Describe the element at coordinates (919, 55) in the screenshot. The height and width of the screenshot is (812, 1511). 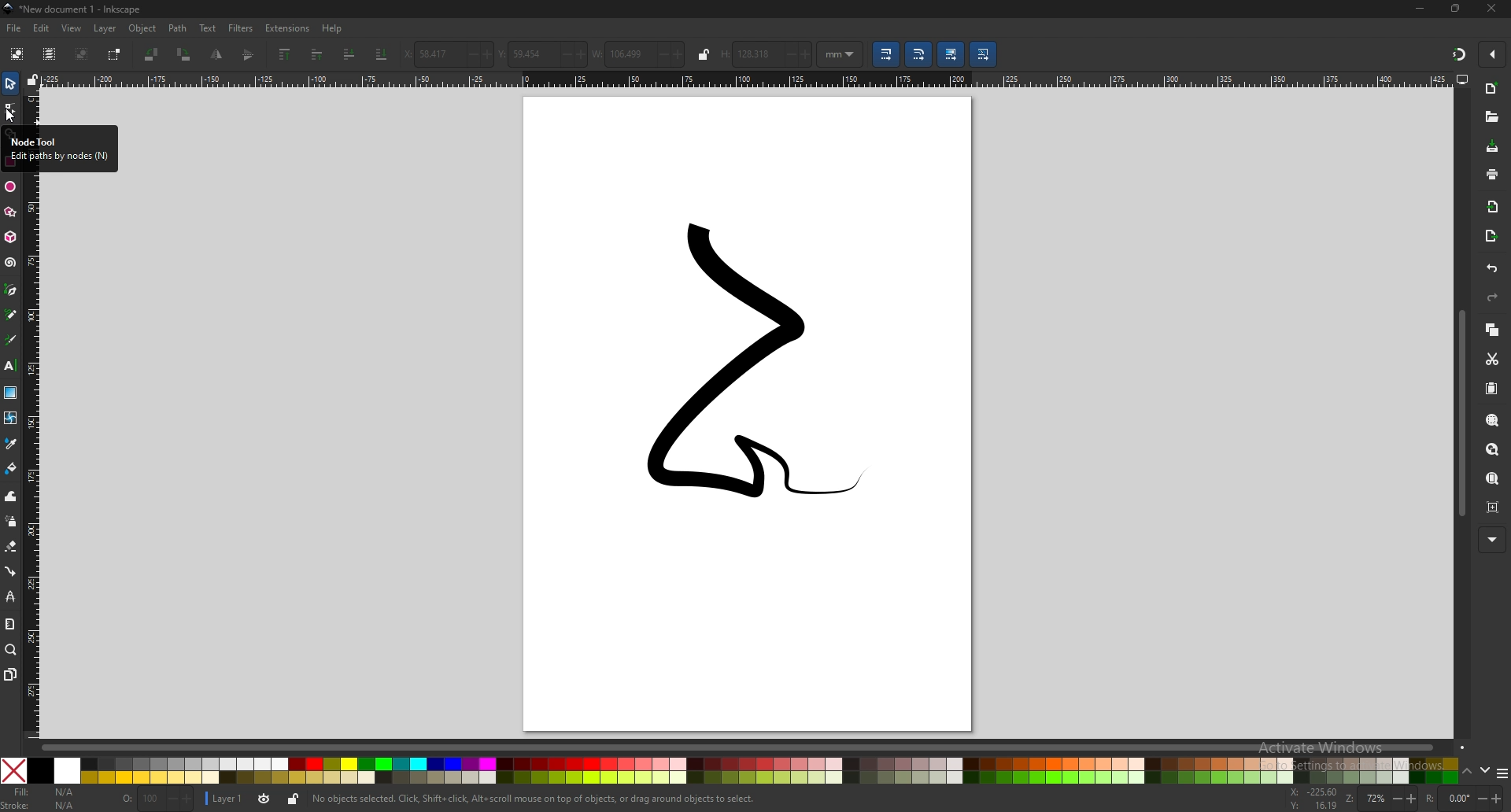
I see `scale radii` at that location.